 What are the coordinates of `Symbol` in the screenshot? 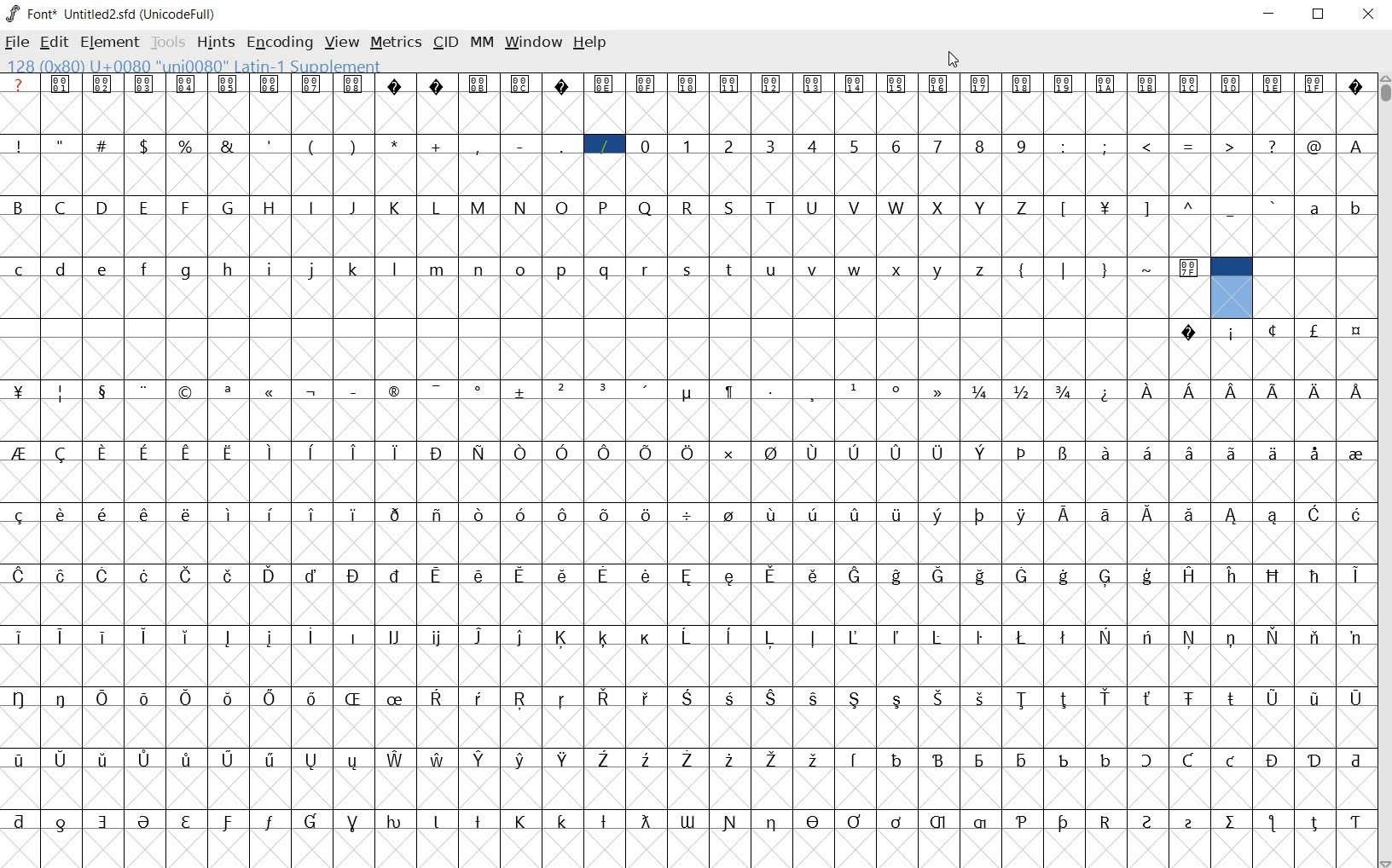 It's located at (63, 392).